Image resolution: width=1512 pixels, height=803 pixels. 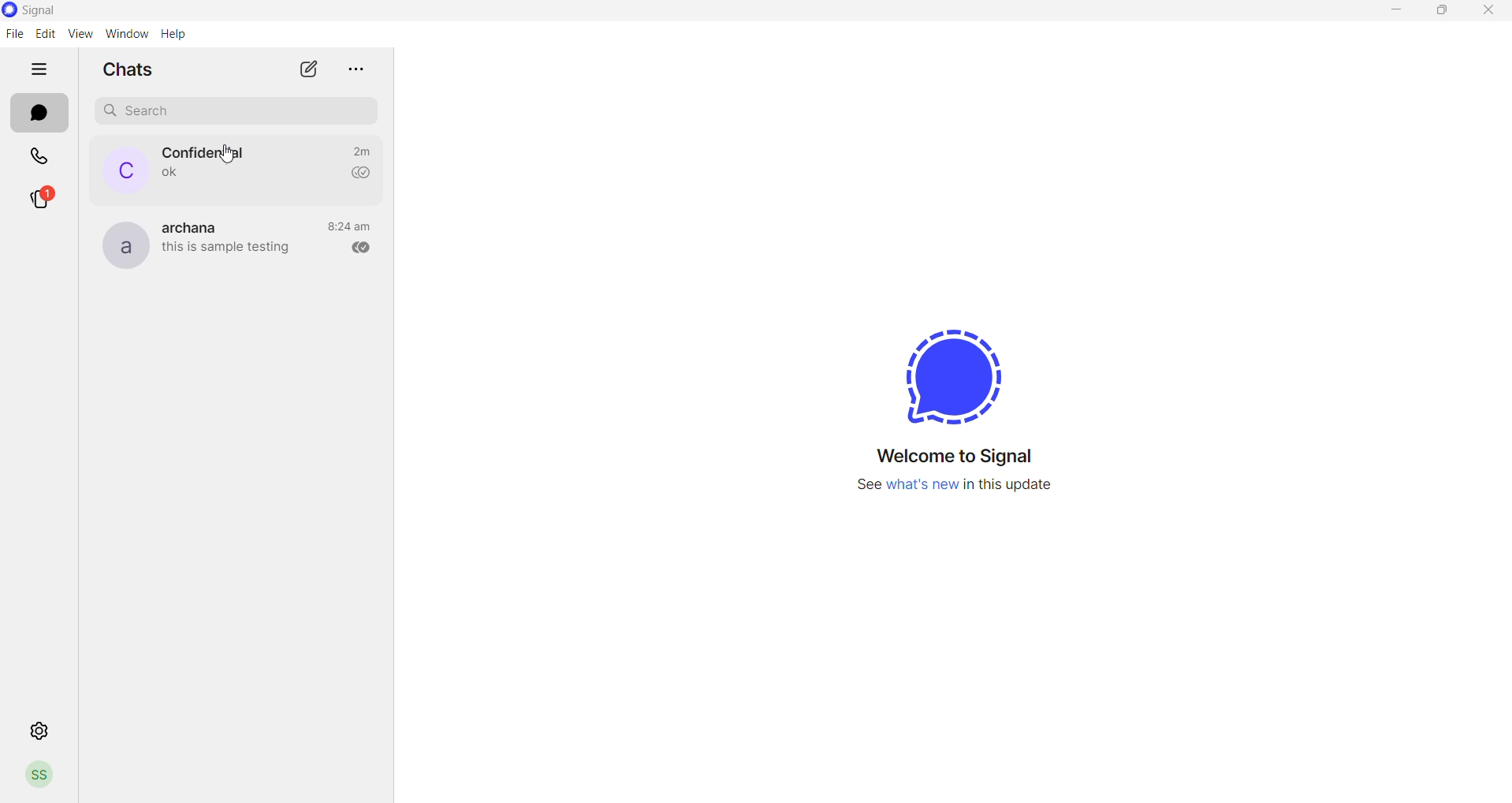 What do you see at coordinates (40, 155) in the screenshot?
I see `calls` at bounding box center [40, 155].